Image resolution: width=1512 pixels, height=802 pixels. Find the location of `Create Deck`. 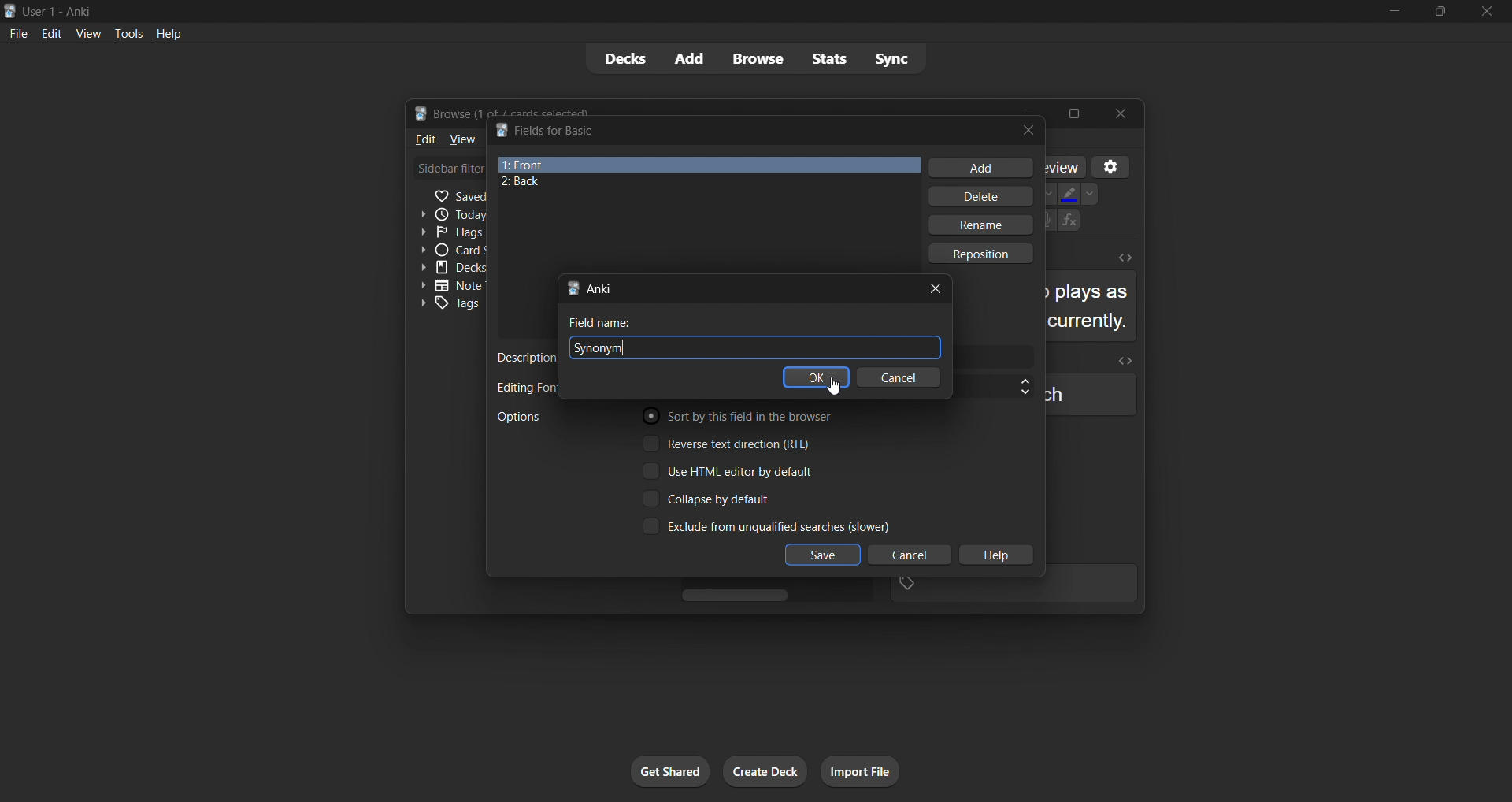

Create Deck is located at coordinates (768, 771).